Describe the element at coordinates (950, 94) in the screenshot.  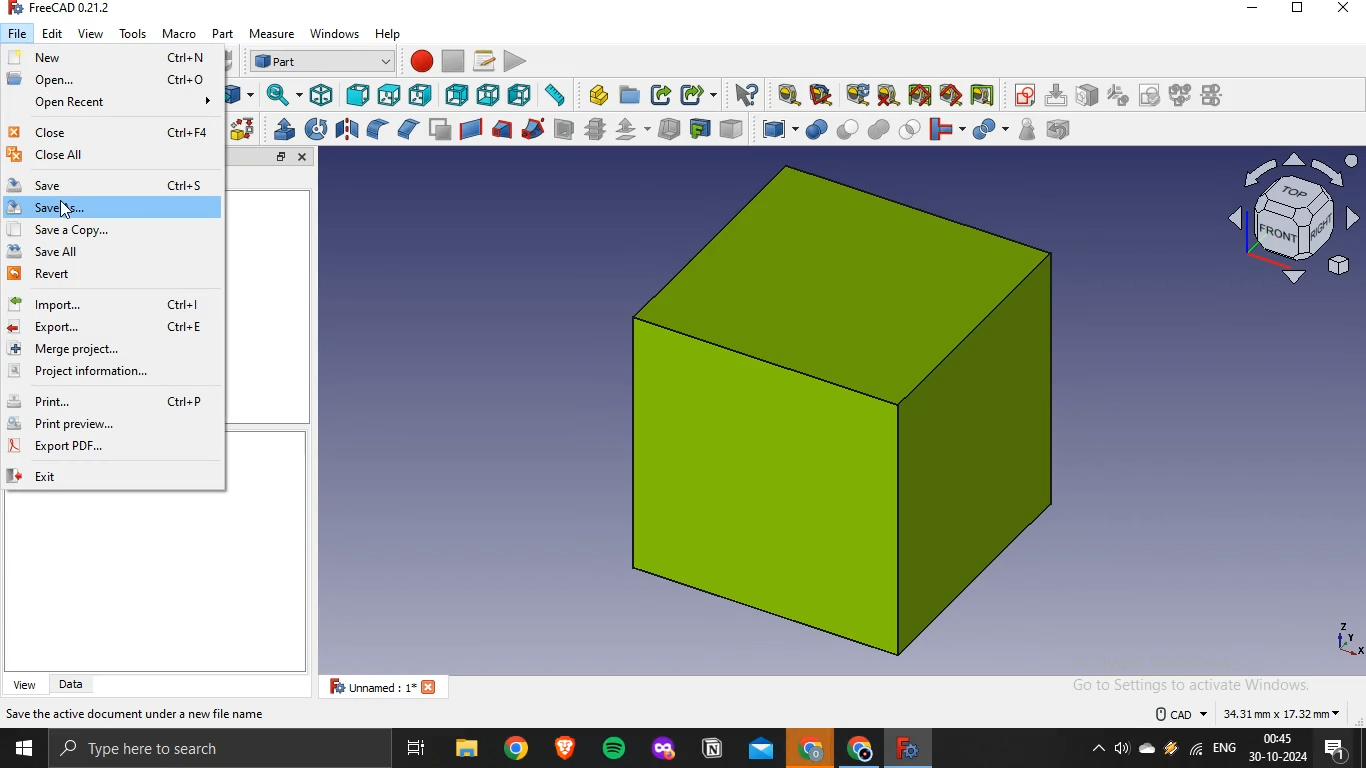
I see `toggle 3d` at that location.